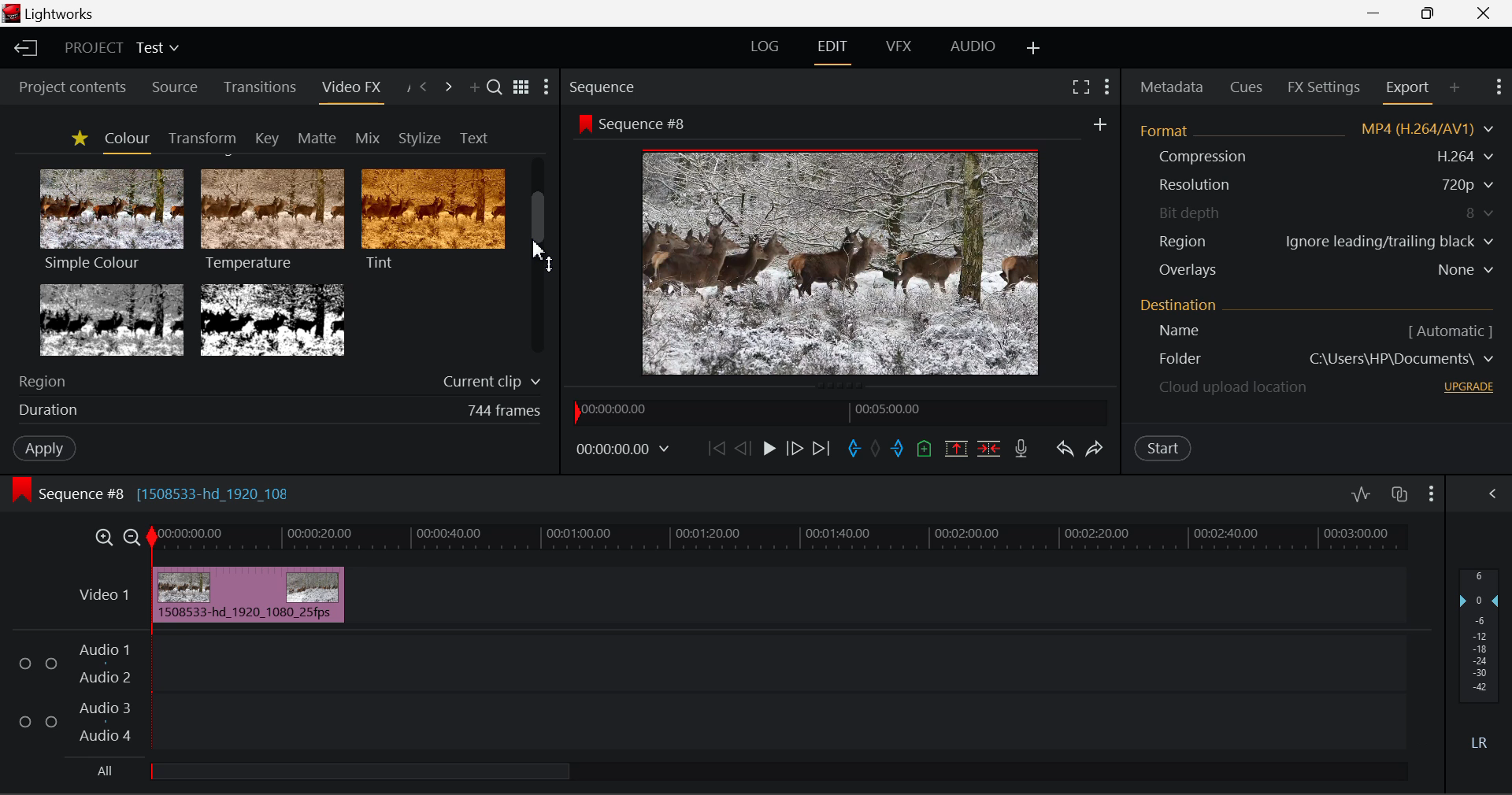 This screenshot has width=1512, height=795. Describe the element at coordinates (954, 449) in the screenshot. I see `Remove marked section` at that location.